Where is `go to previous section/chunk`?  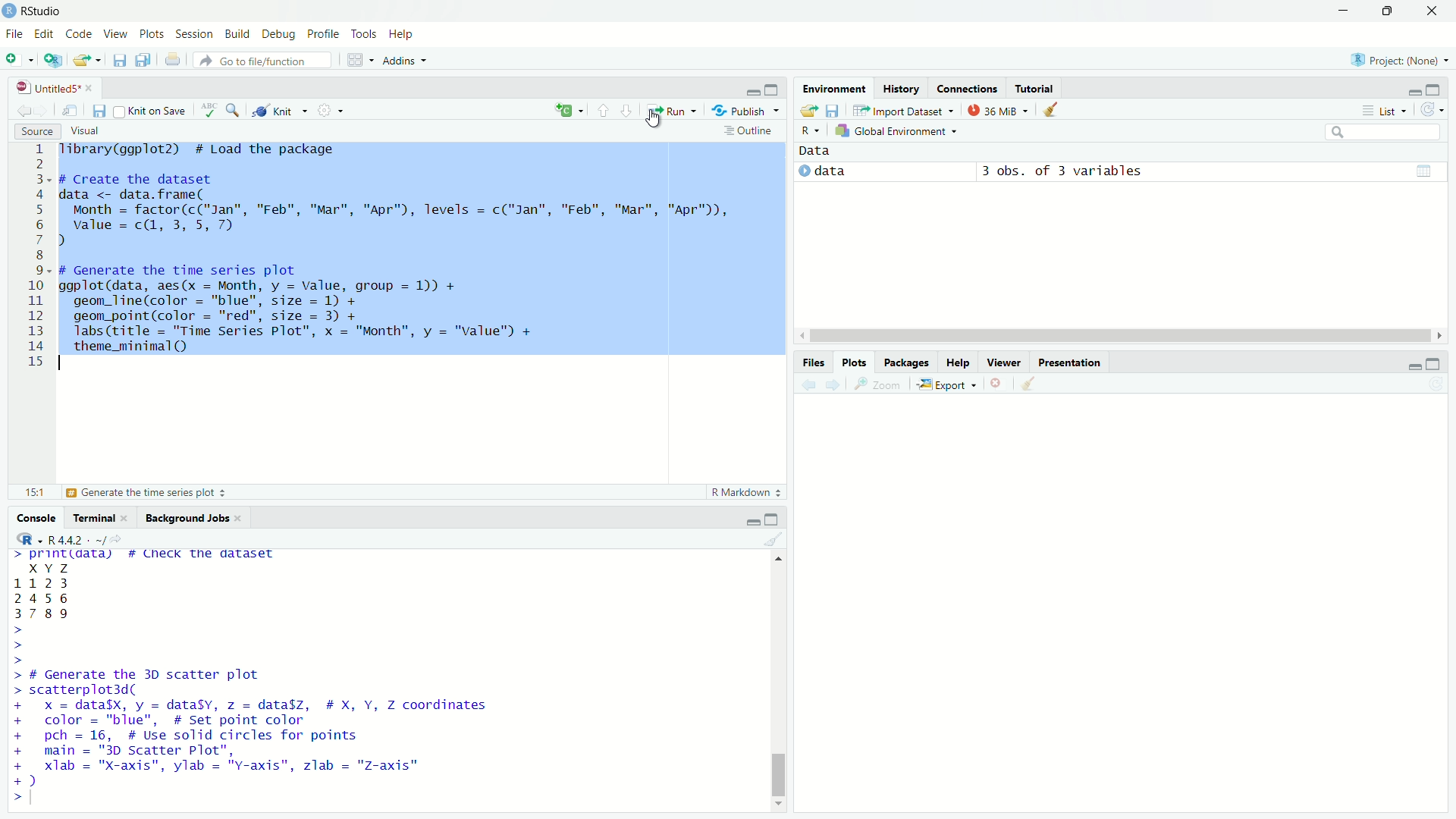
go to previous section/chunk is located at coordinates (601, 111).